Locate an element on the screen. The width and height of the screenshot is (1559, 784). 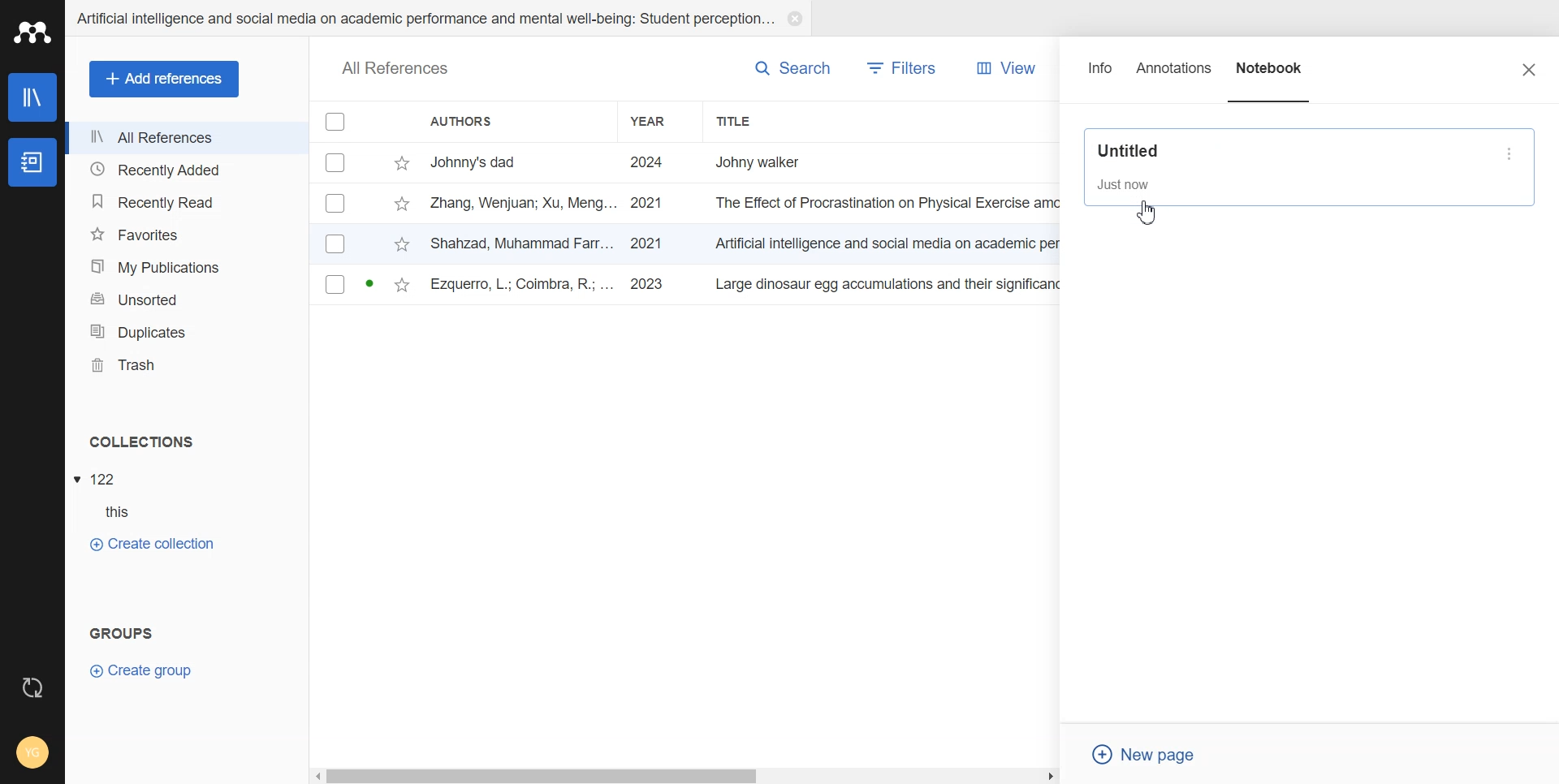
Authors is located at coordinates (514, 121).